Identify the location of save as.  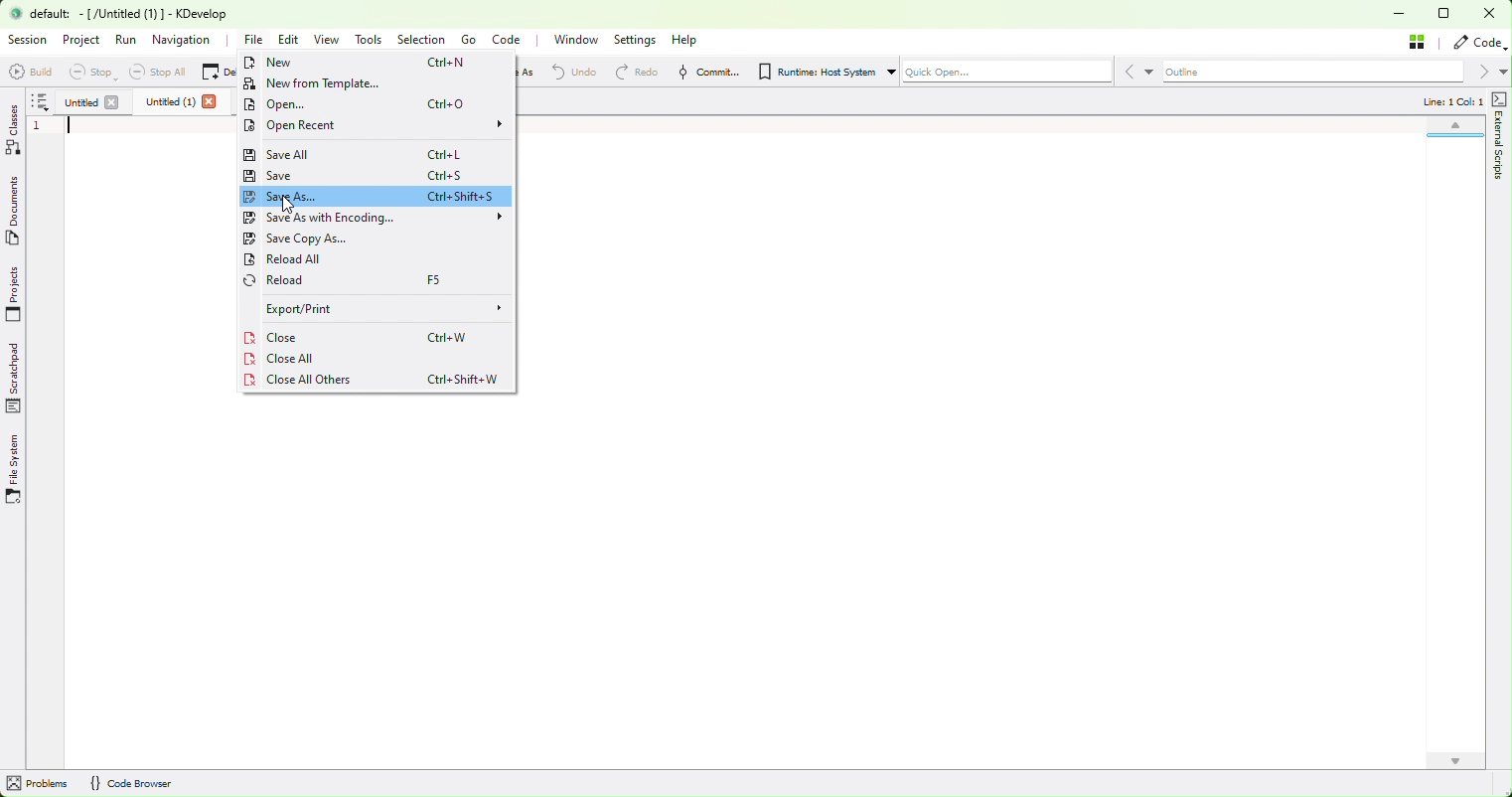
(292, 199).